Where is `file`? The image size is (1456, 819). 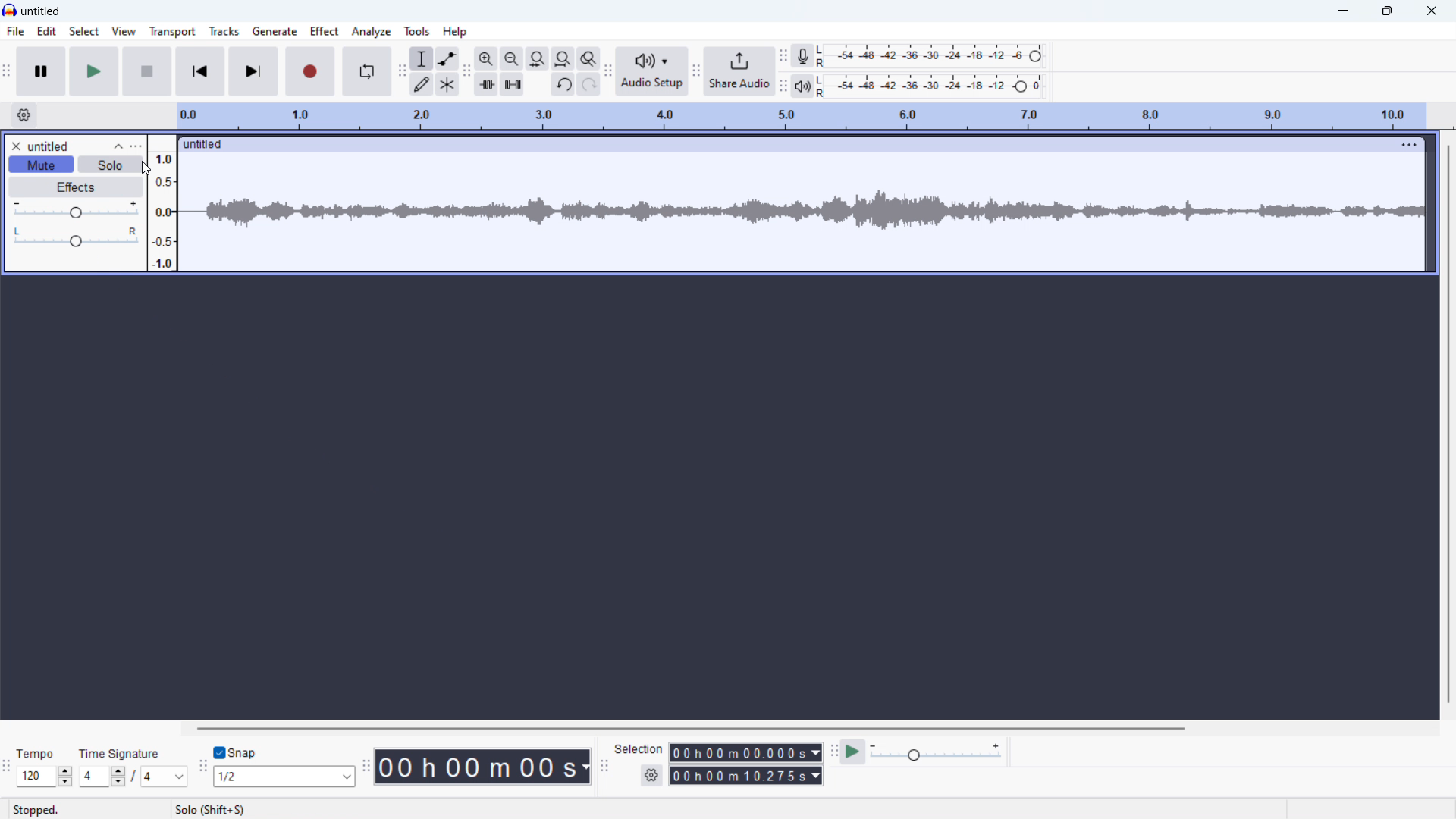 file is located at coordinates (14, 31).